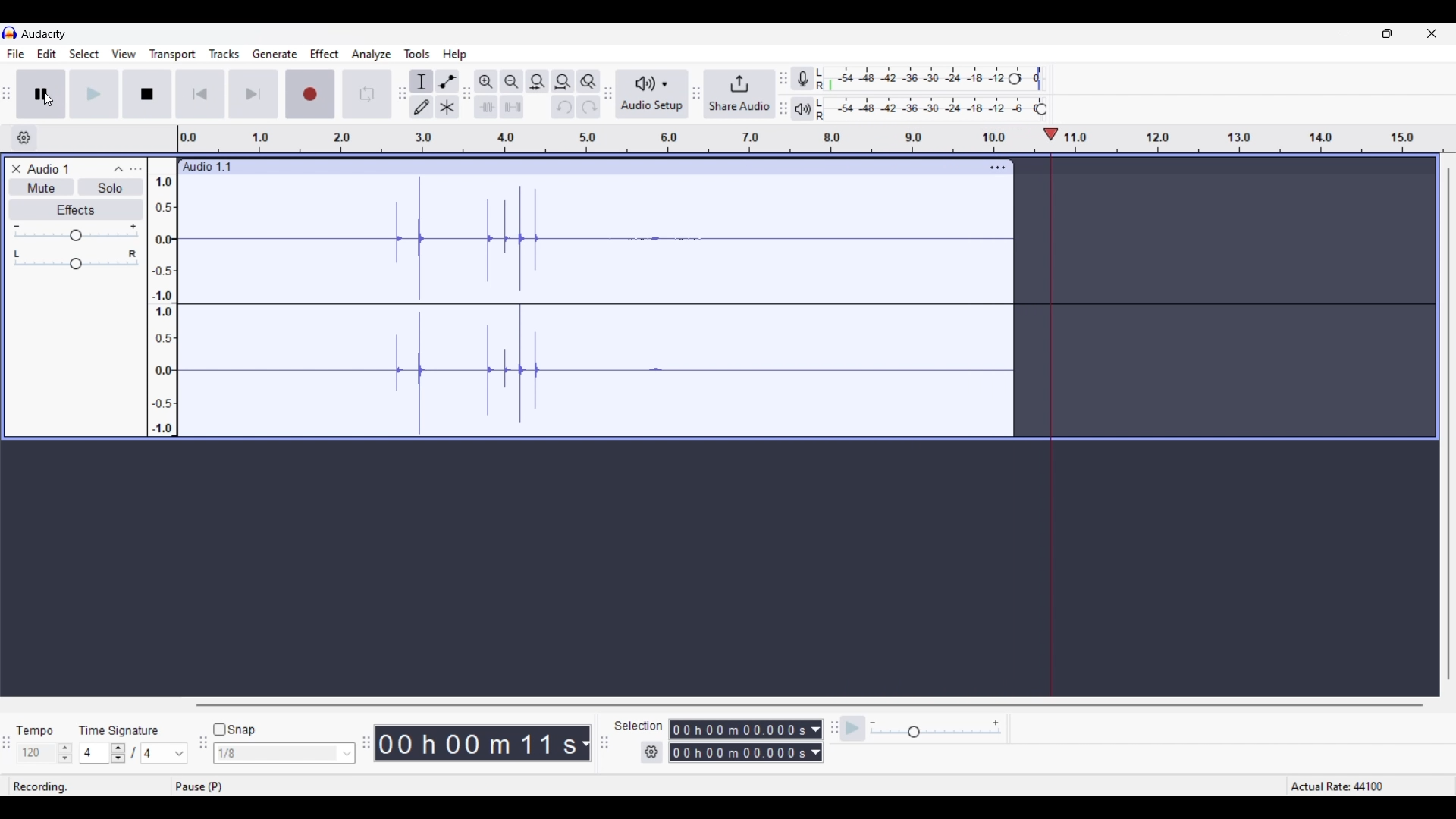 This screenshot has width=1456, height=819. What do you see at coordinates (831, 735) in the screenshot?
I see `toolbar` at bounding box center [831, 735].